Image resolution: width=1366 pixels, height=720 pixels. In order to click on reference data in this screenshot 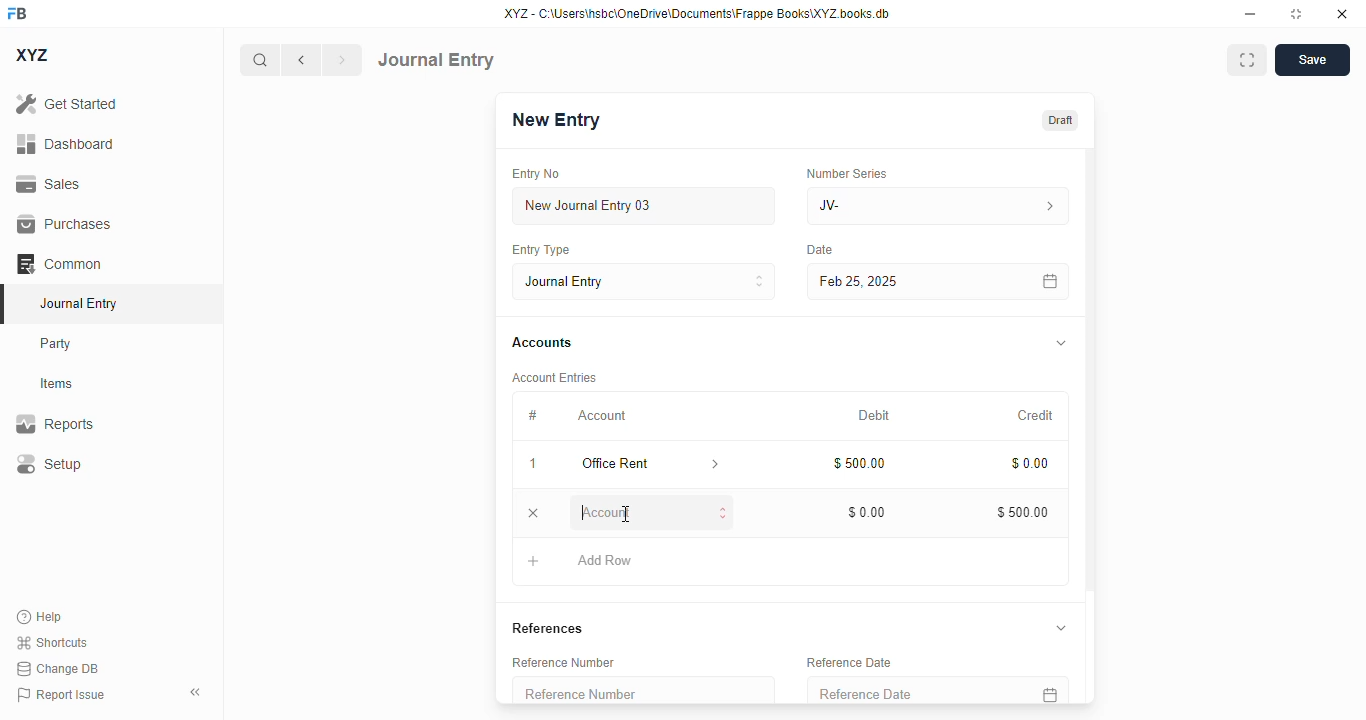, I will do `click(849, 663)`.